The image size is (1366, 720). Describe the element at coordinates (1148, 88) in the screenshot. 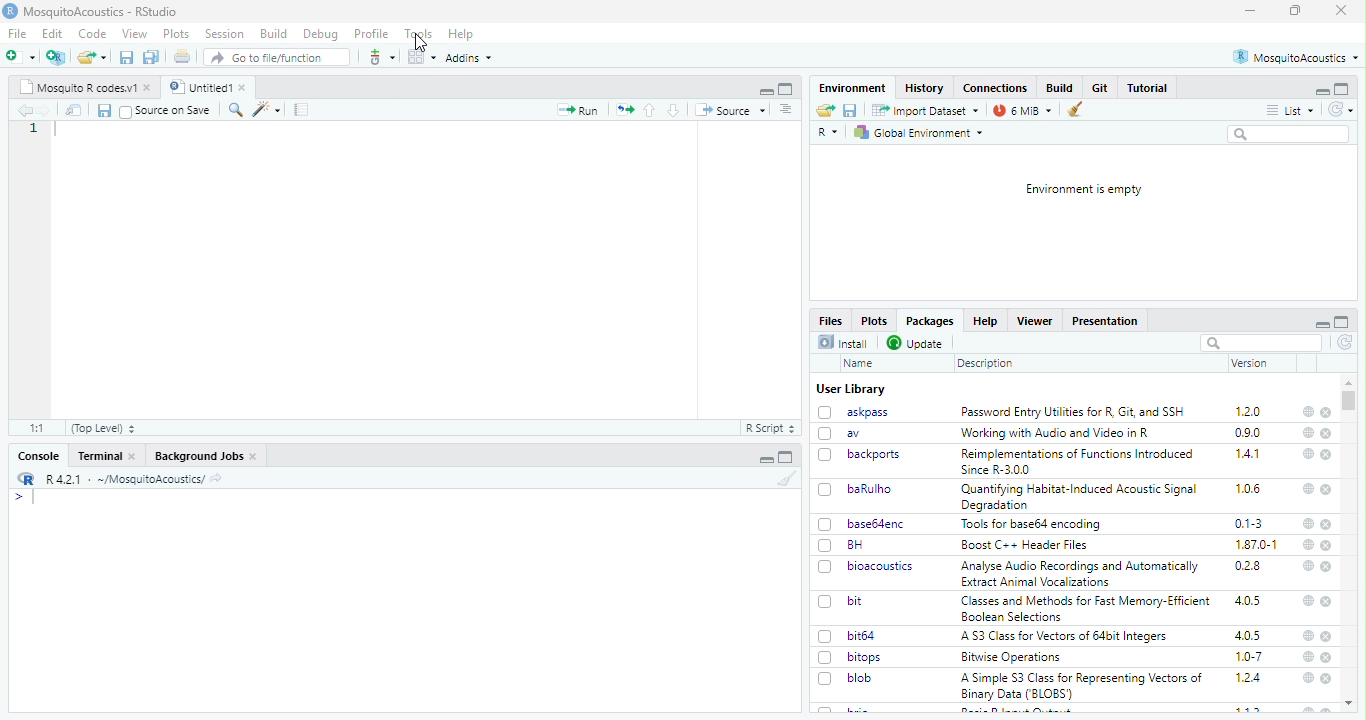

I see `Tutorial` at that location.